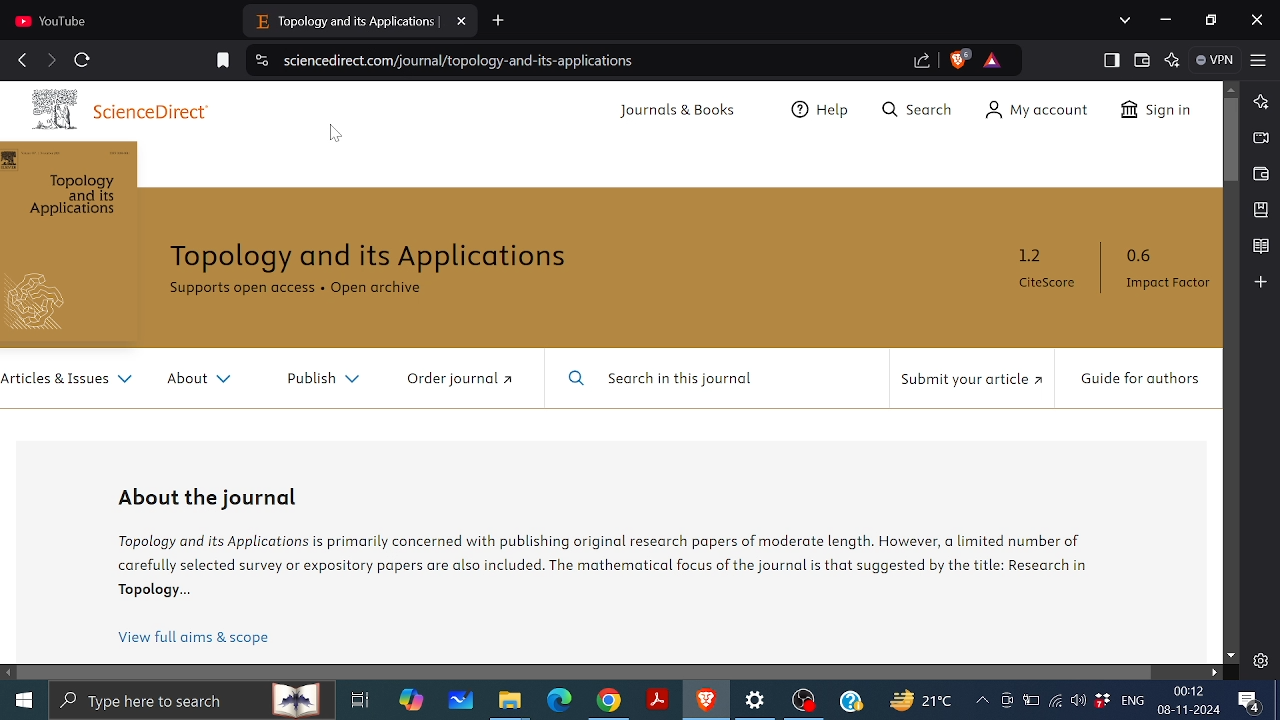 This screenshot has height=720, width=1280. What do you see at coordinates (1217, 60) in the screenshot?
I see `VPN` at bounding box center [1217, 60].